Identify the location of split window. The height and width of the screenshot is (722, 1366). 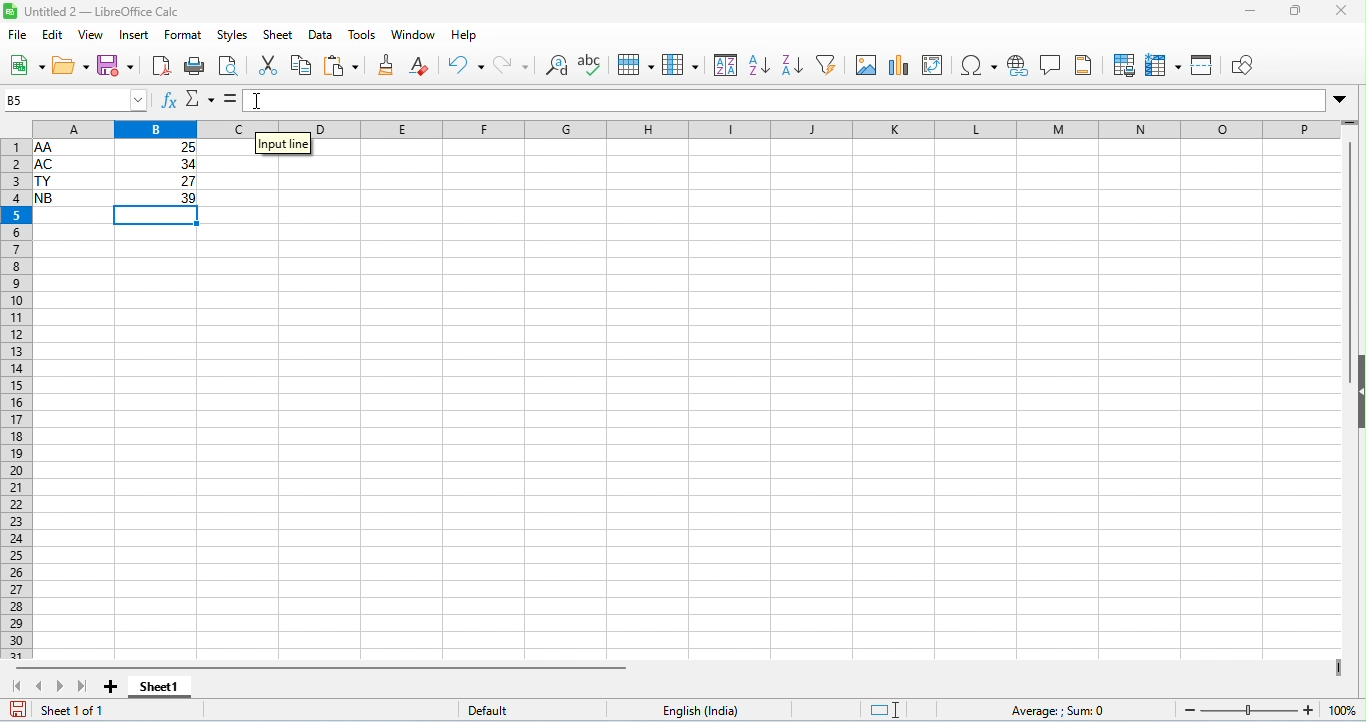
(1204, 65).